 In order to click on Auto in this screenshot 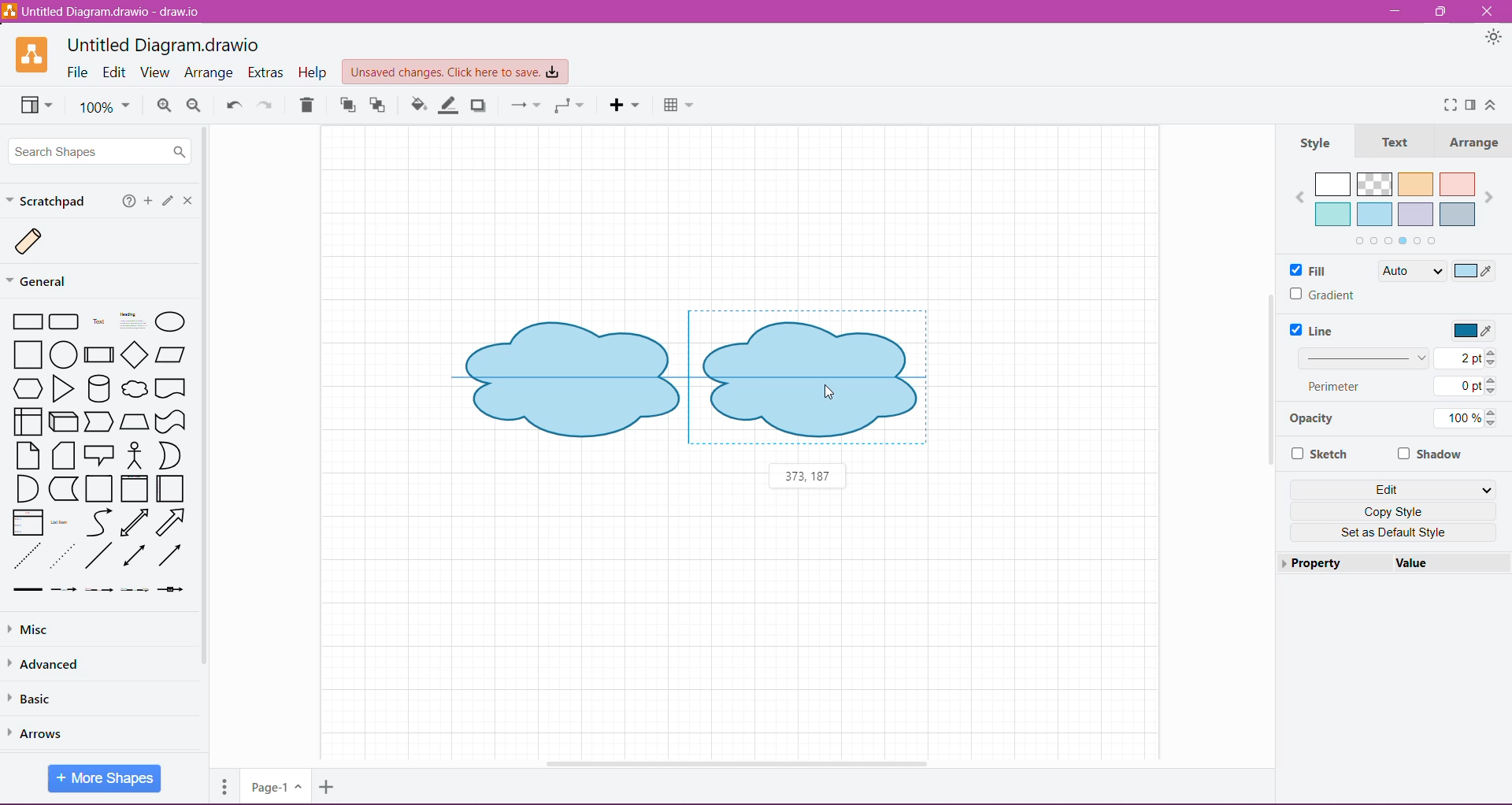, I will do `click(1411, 271)`.